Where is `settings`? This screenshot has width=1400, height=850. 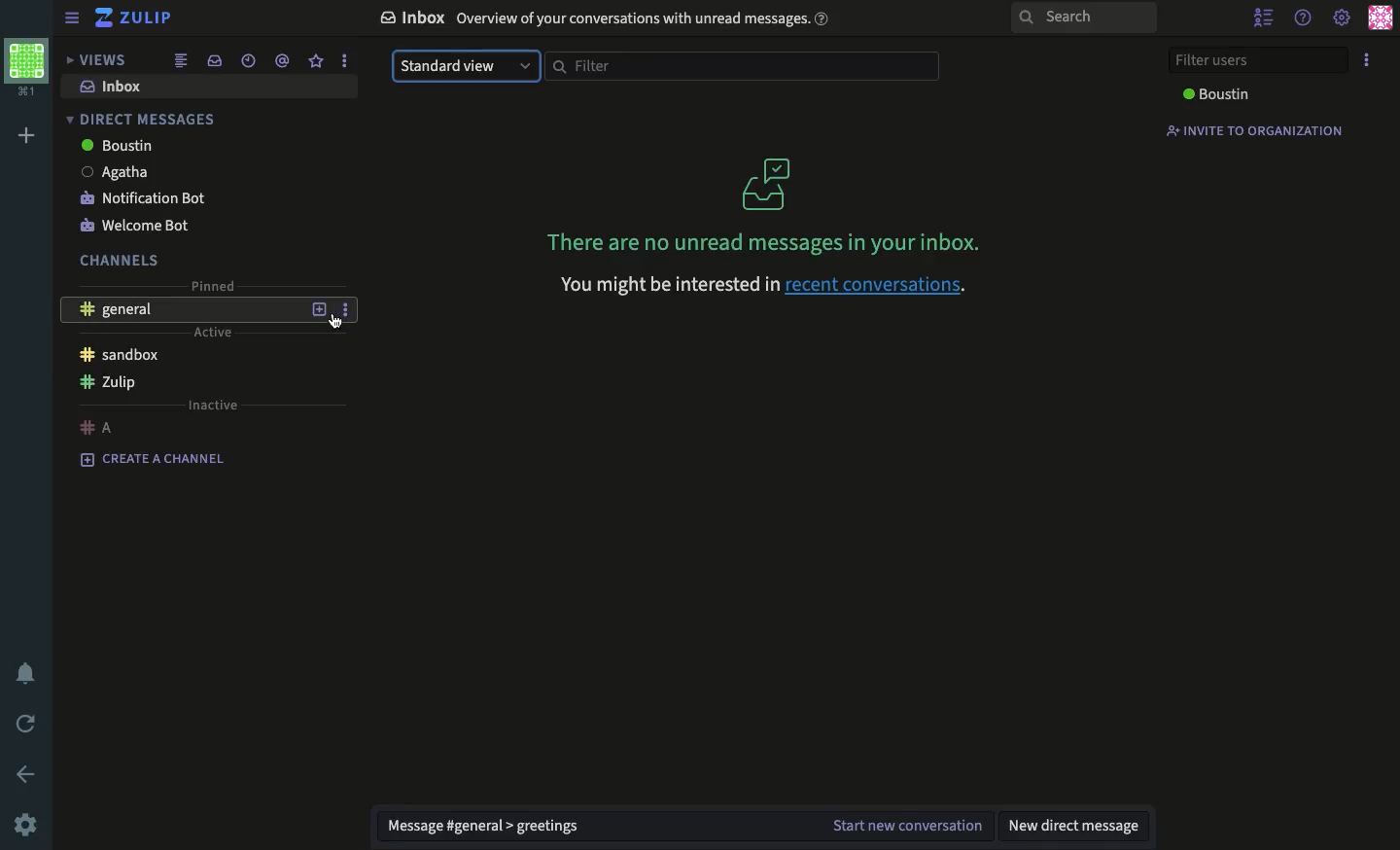
settings is located at coordinates (1343, 19).